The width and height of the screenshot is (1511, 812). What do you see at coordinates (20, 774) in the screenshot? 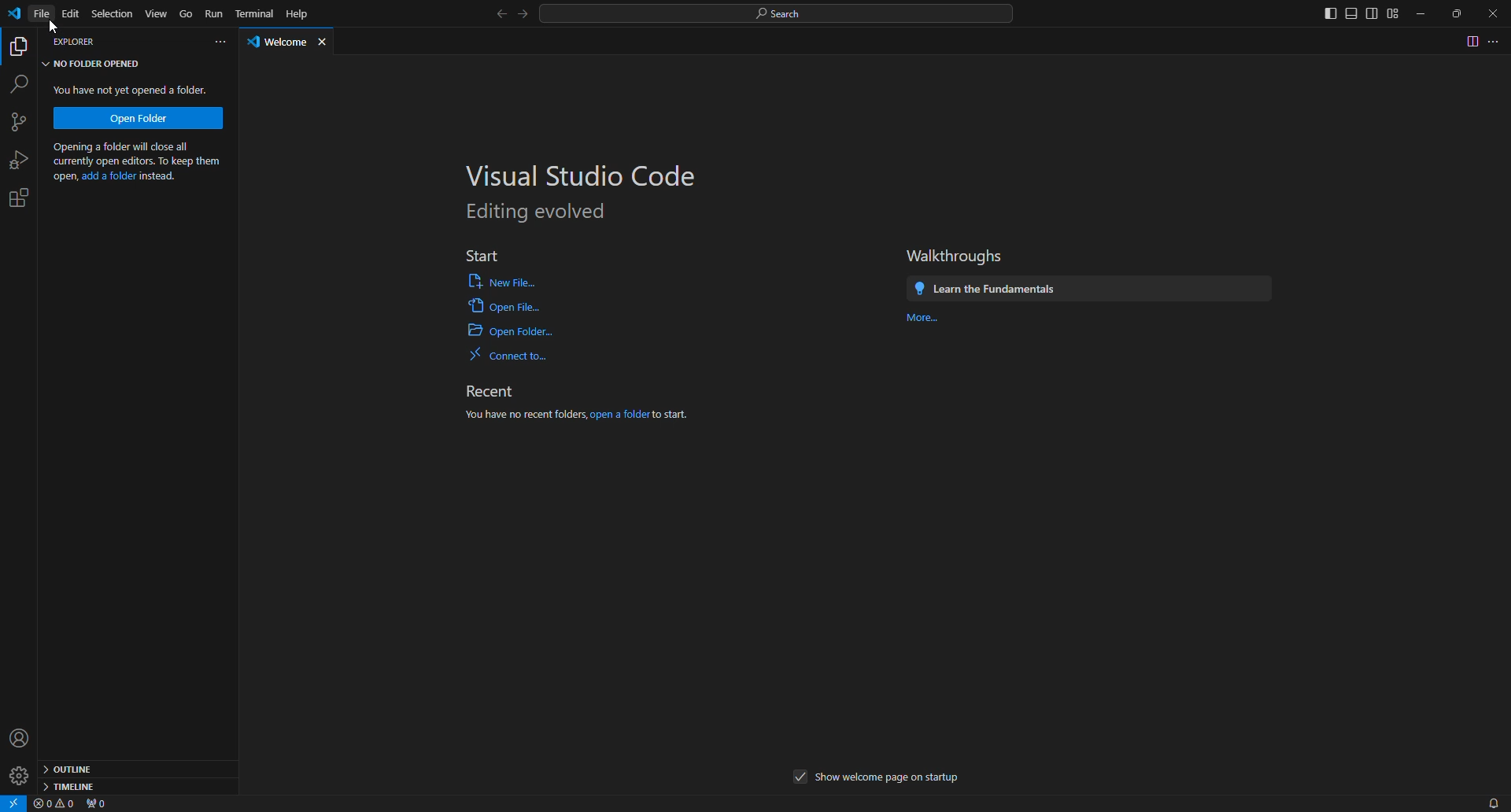
I see `manage` at bounding box center [20, 774].